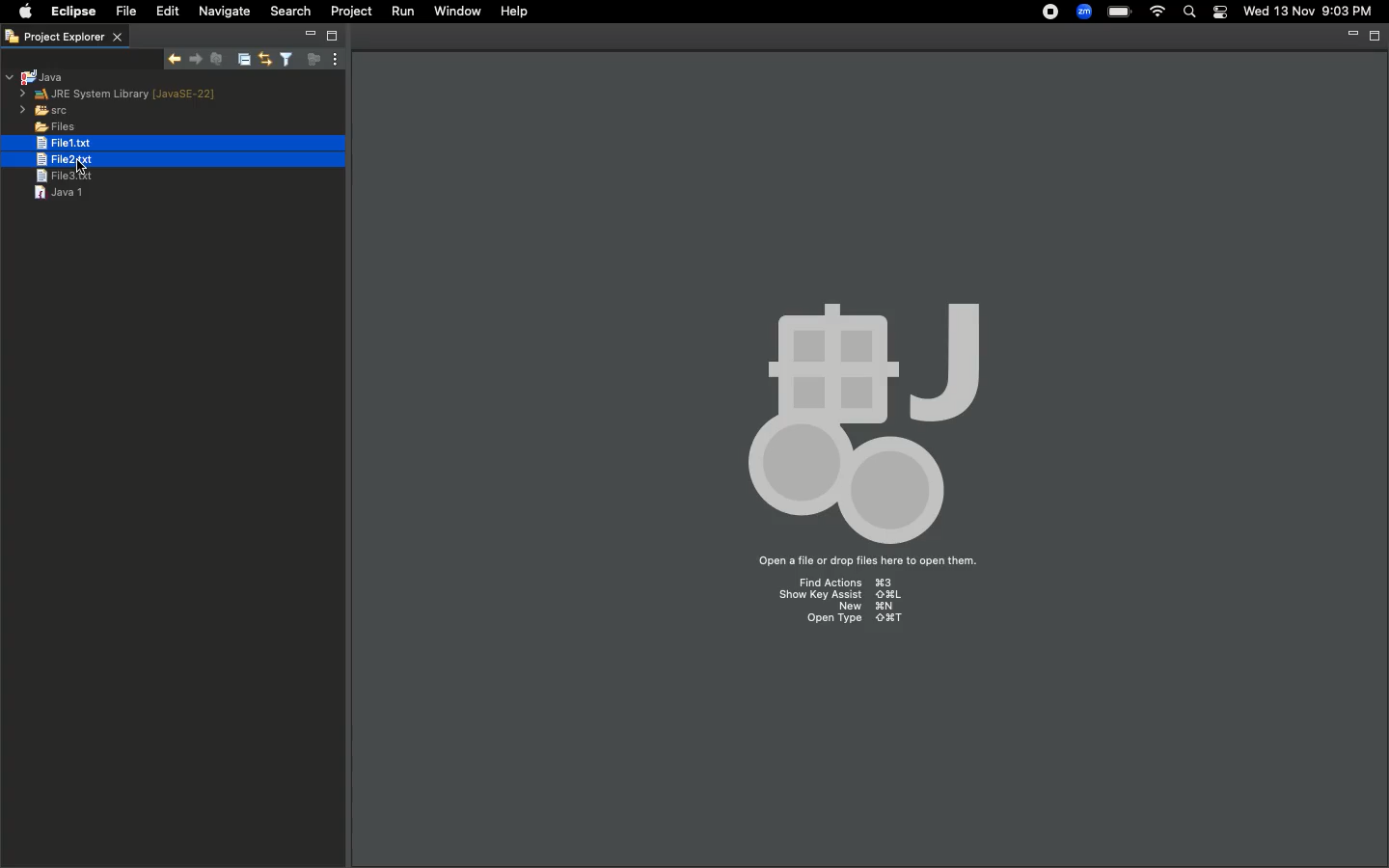 The width and height of the screenshot is (1389, 868). I want to click on Minimize, so click(311, 34).